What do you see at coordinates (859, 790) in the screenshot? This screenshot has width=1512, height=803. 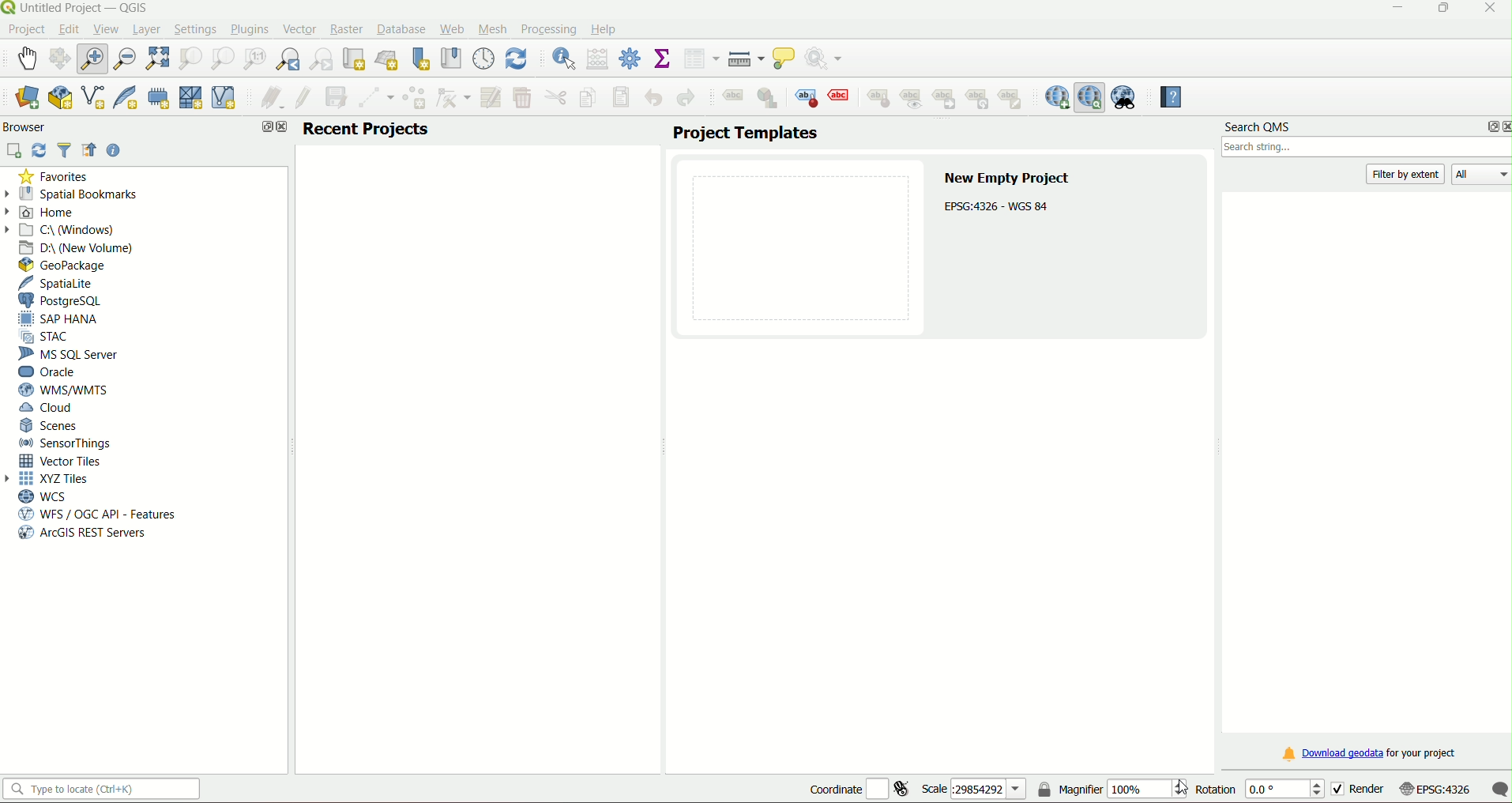 I see `cordinates` at bounding box center [859, 790].